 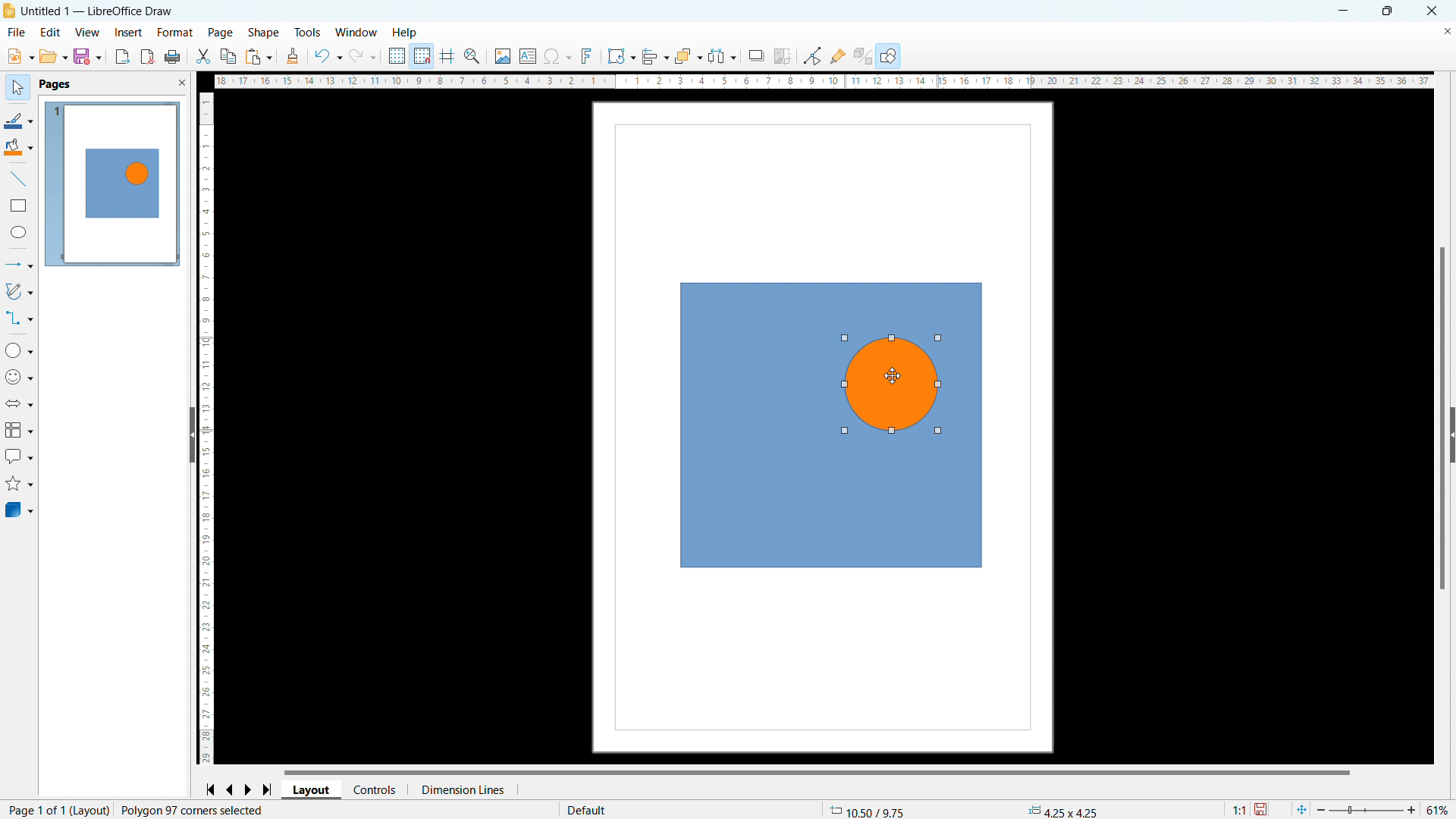 What do you see at coordinates (229, 789) in the screenshot?
I see `go to previous page` at bounding box center [229, 789].